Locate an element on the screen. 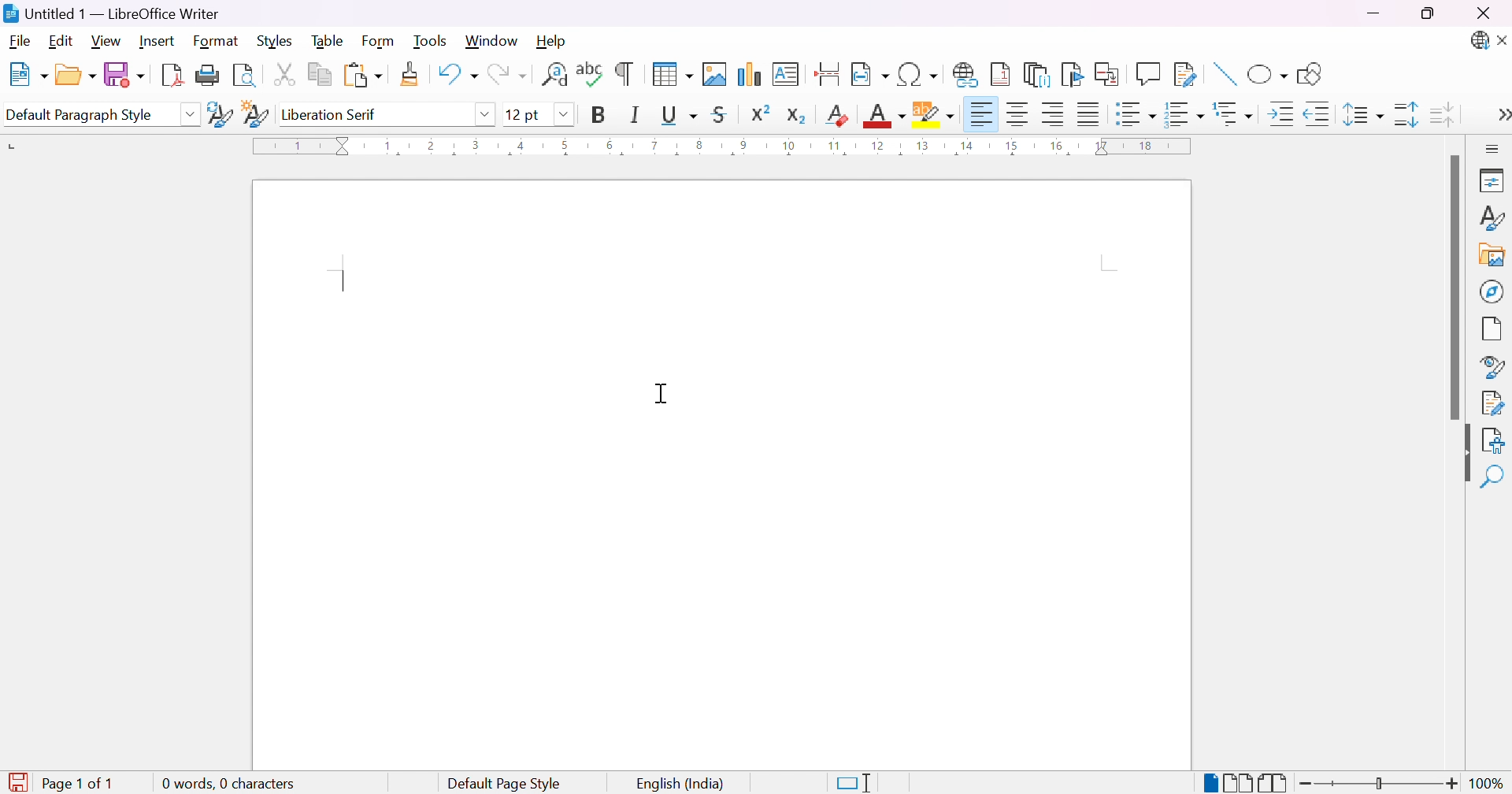  Ruler is located at coordinates (728, 147).